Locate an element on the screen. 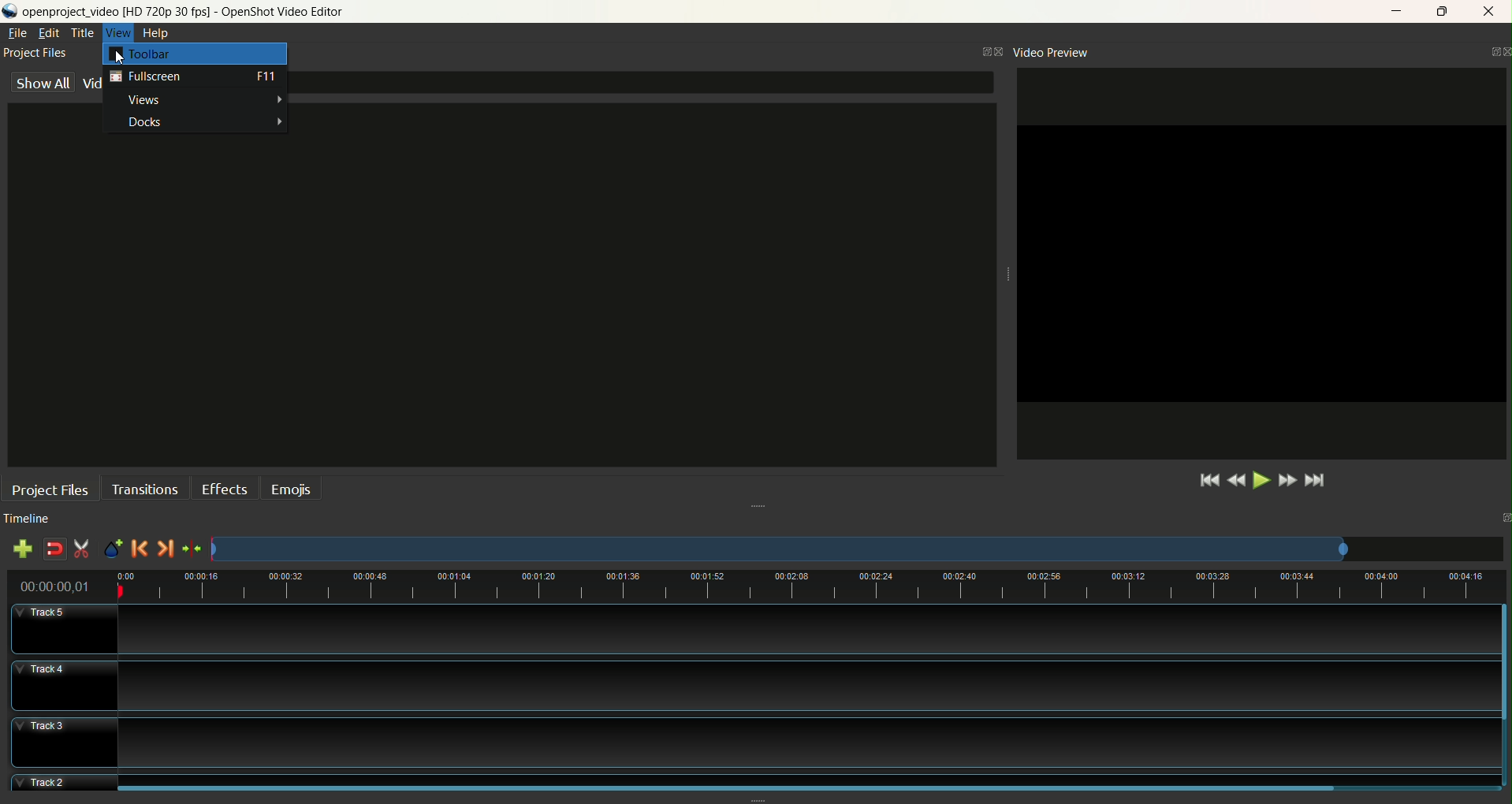 This screenshot has height=804, width=1512. time is located at coordinates (55, 585).